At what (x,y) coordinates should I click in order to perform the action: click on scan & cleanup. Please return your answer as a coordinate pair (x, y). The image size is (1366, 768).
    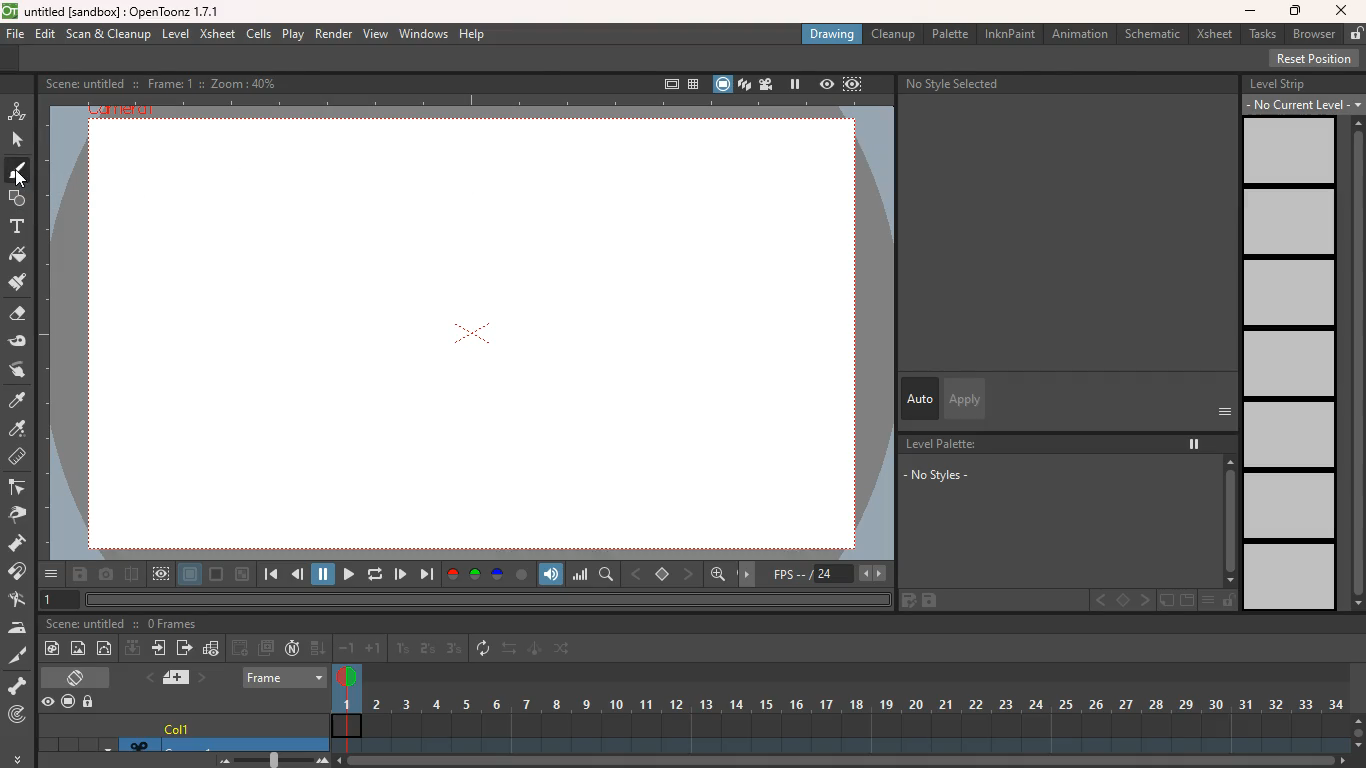
    Looking at the image, I should click on (110, 33).